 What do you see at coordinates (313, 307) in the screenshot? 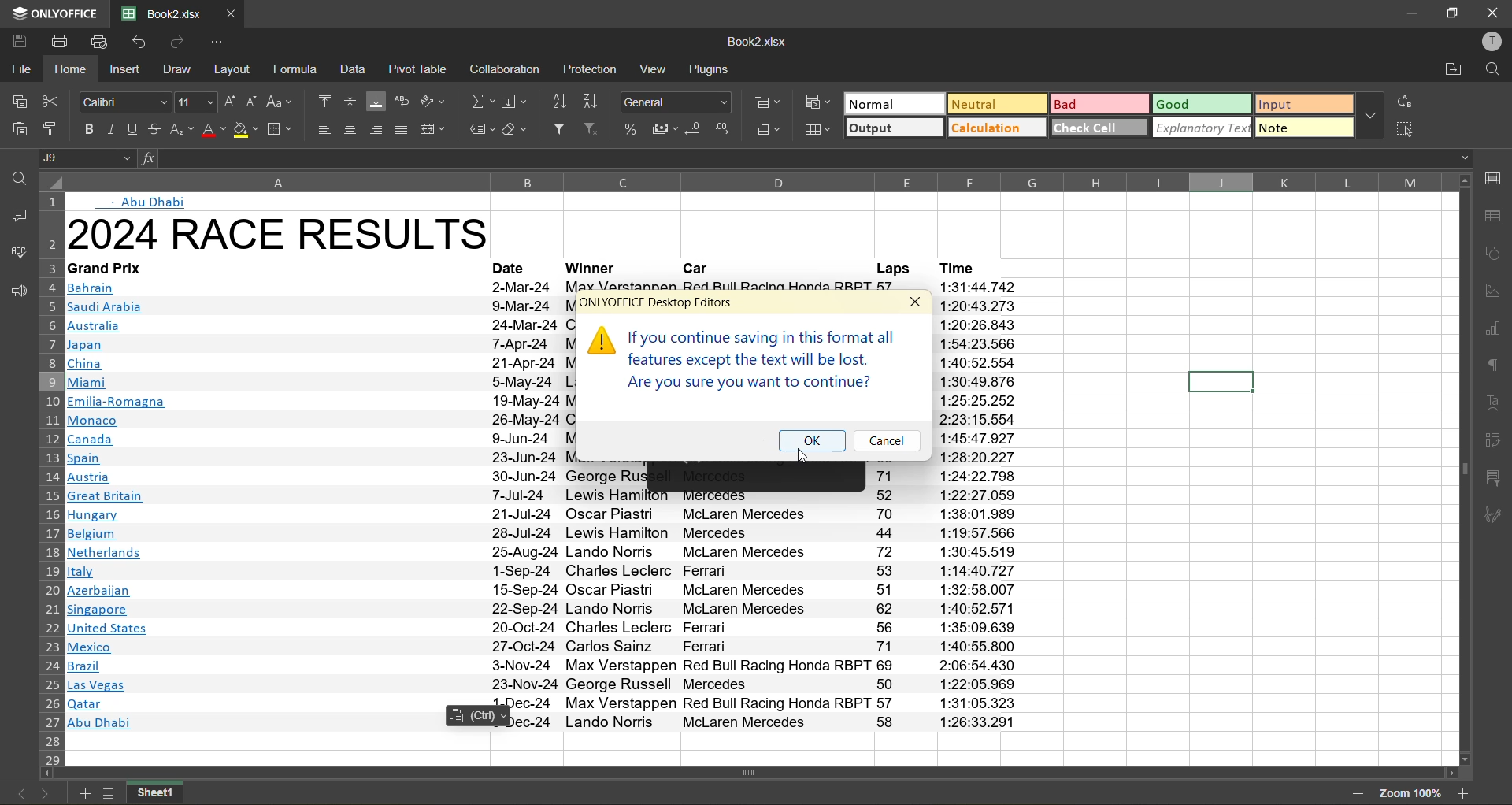
I see `text info` at bounding box center [313, 307].